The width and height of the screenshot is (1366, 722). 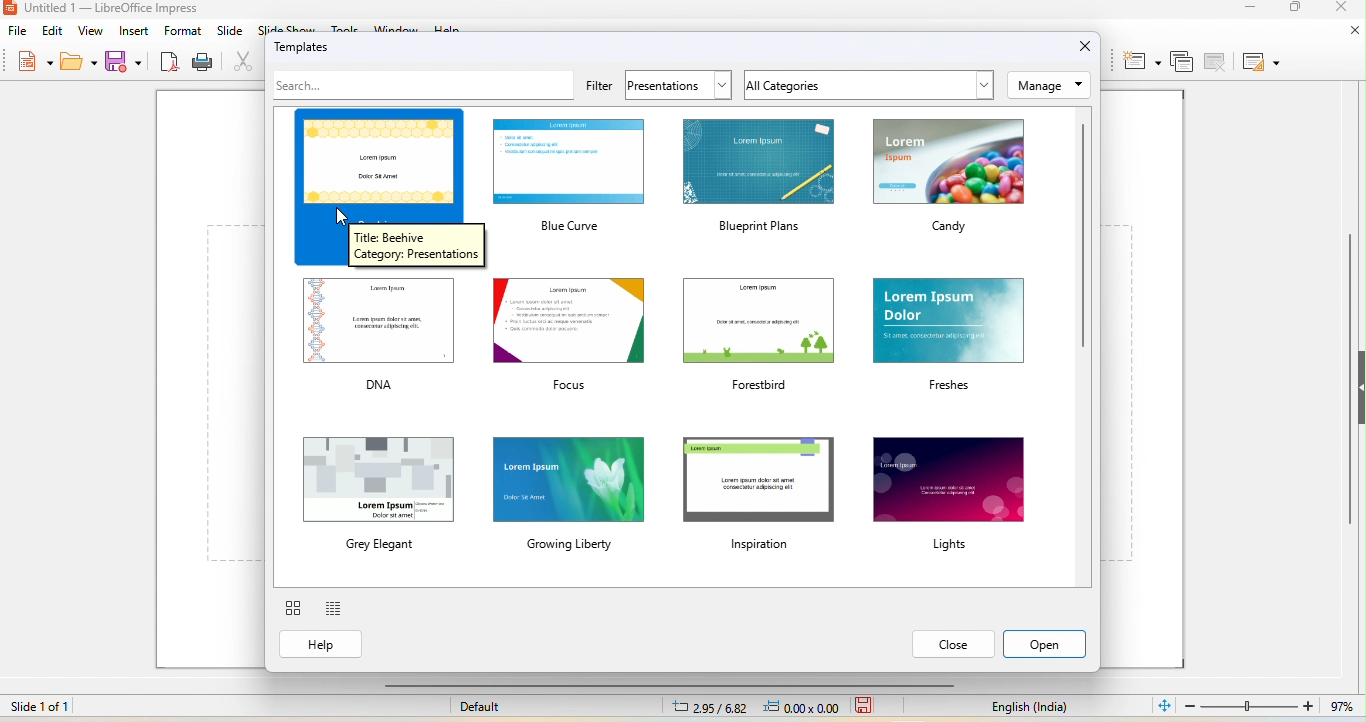 What do you see at coordinates (379, 163) in the screenshot?
I see `beehive template selected` at bounding box center [379, 163].